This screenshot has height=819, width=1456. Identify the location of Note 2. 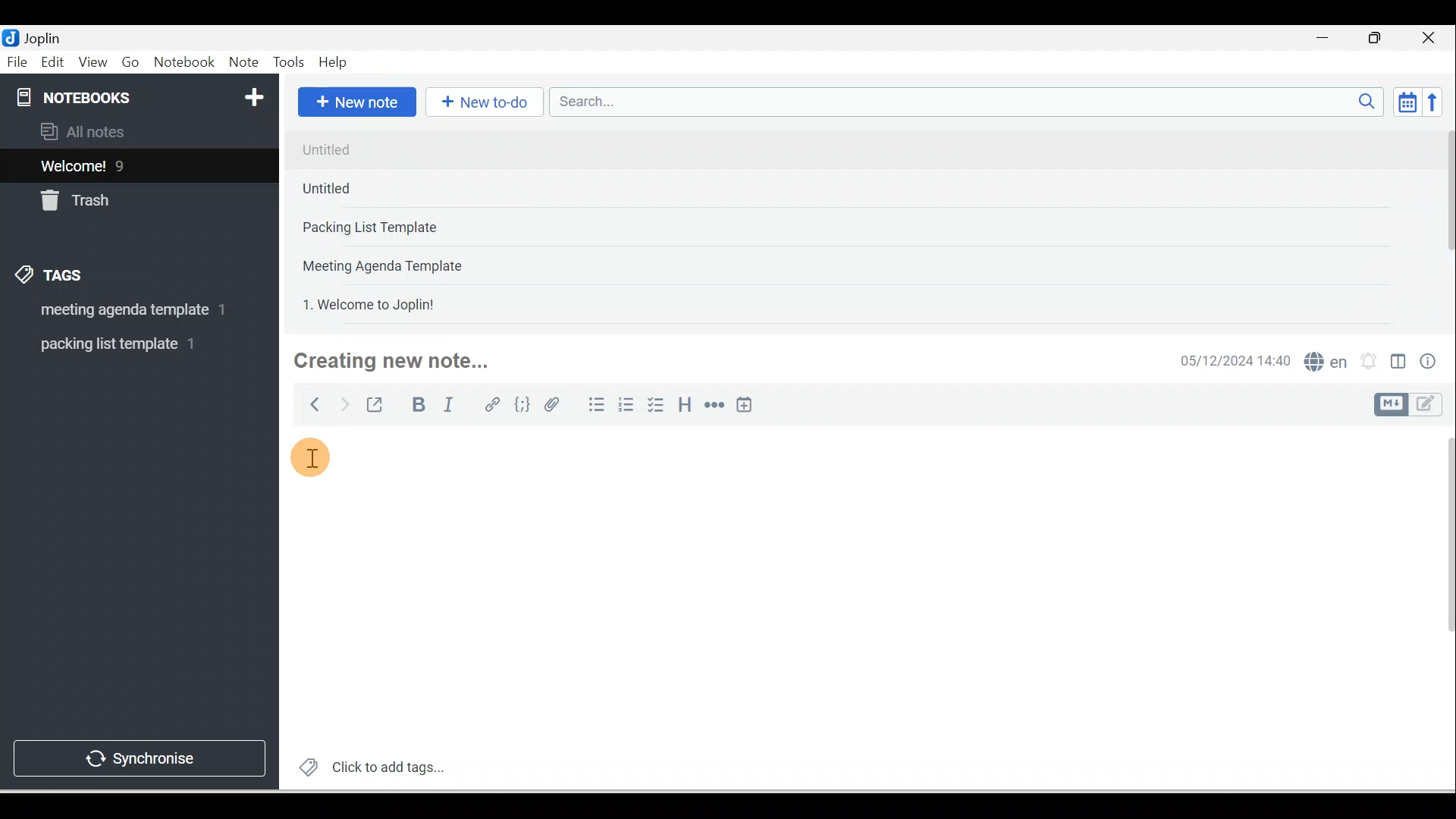
(401, 188).